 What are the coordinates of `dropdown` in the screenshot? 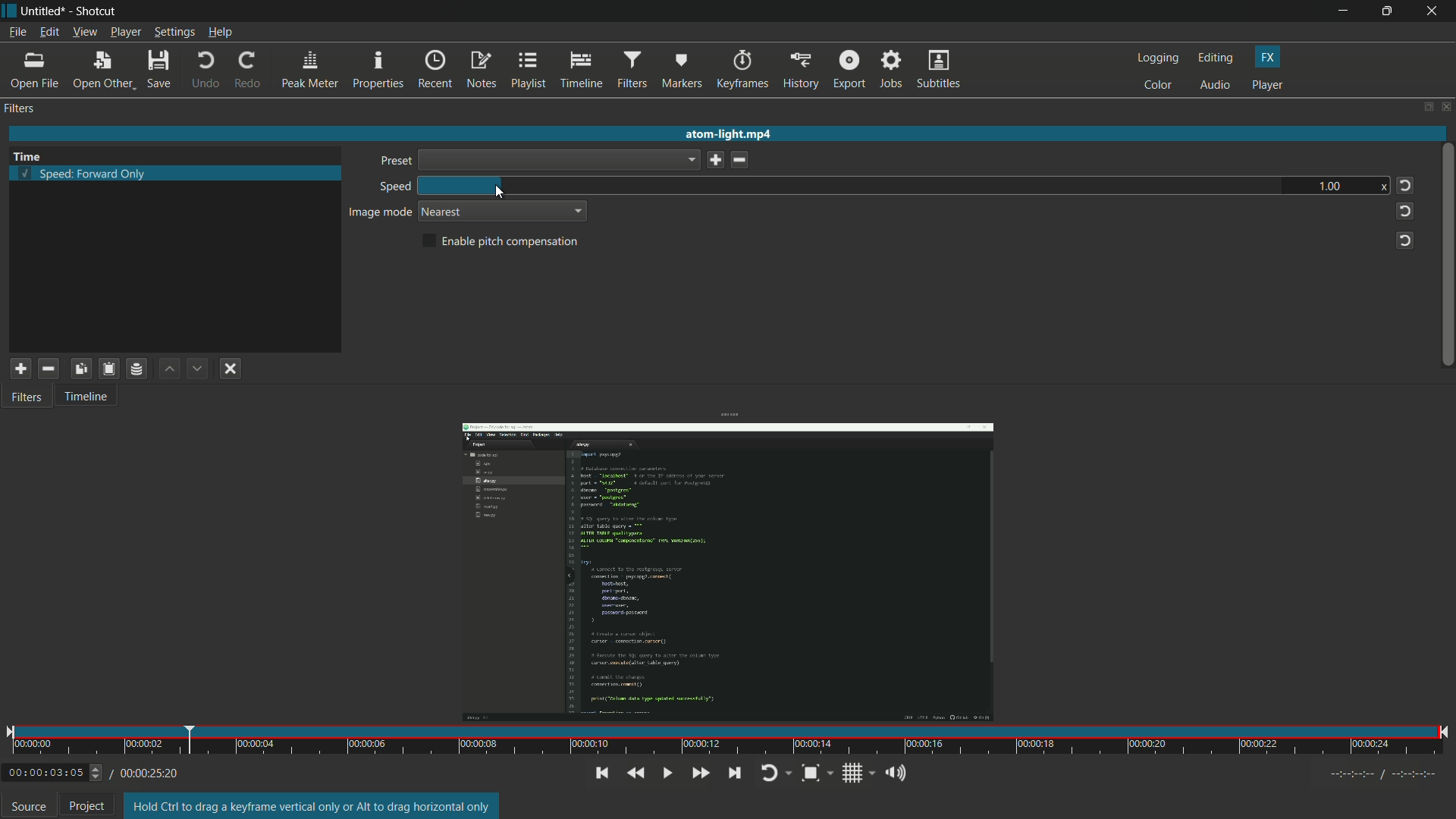 It's located at (576, 211).